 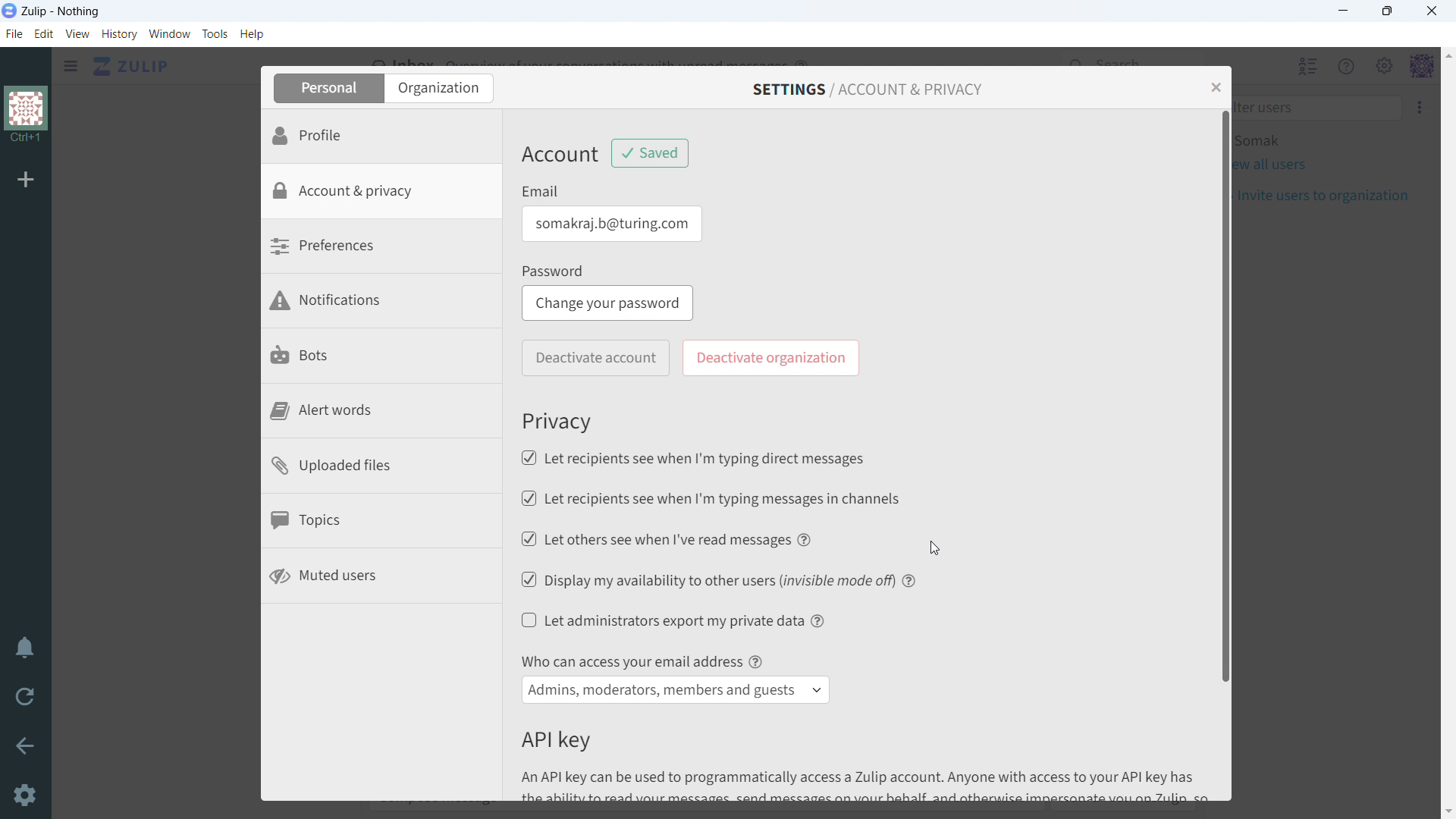 What do you see at coordinates (378, 192) in the screenshot?
I see `account & privacy selected` at bounding box center [378, 192].